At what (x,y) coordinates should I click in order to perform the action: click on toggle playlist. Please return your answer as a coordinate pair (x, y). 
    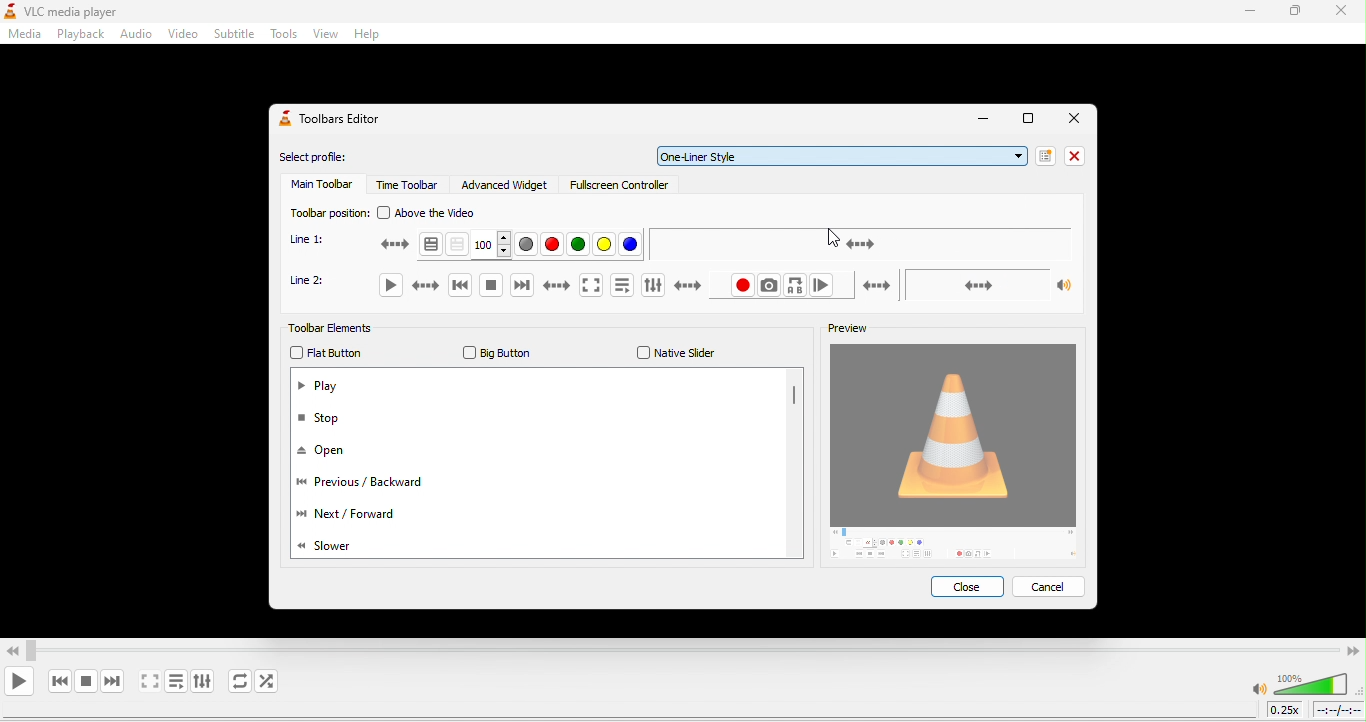
    Looking at the image, I should click on (175, 684).